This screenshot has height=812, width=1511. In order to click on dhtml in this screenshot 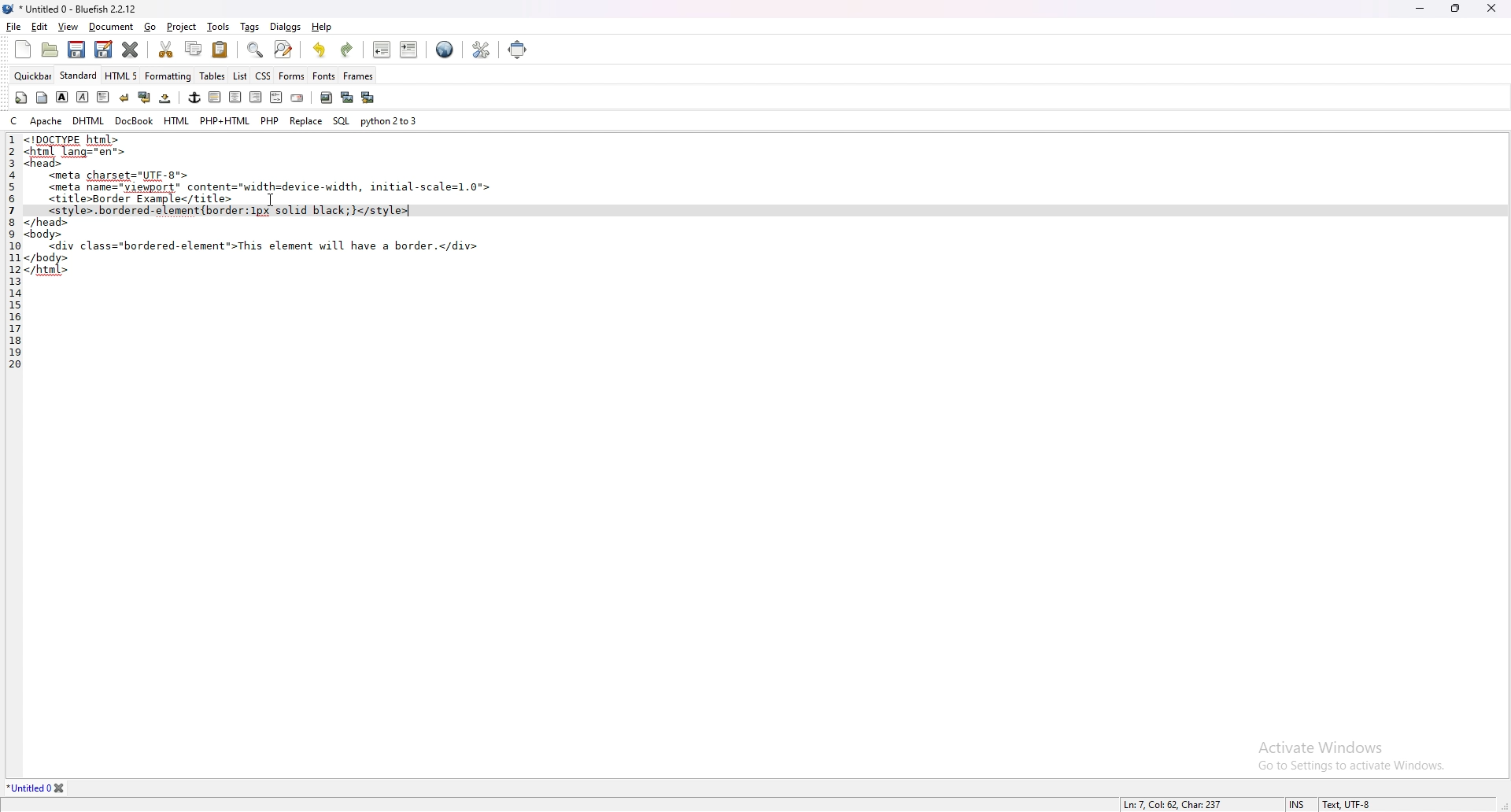, I will do `click(90, 120)`.